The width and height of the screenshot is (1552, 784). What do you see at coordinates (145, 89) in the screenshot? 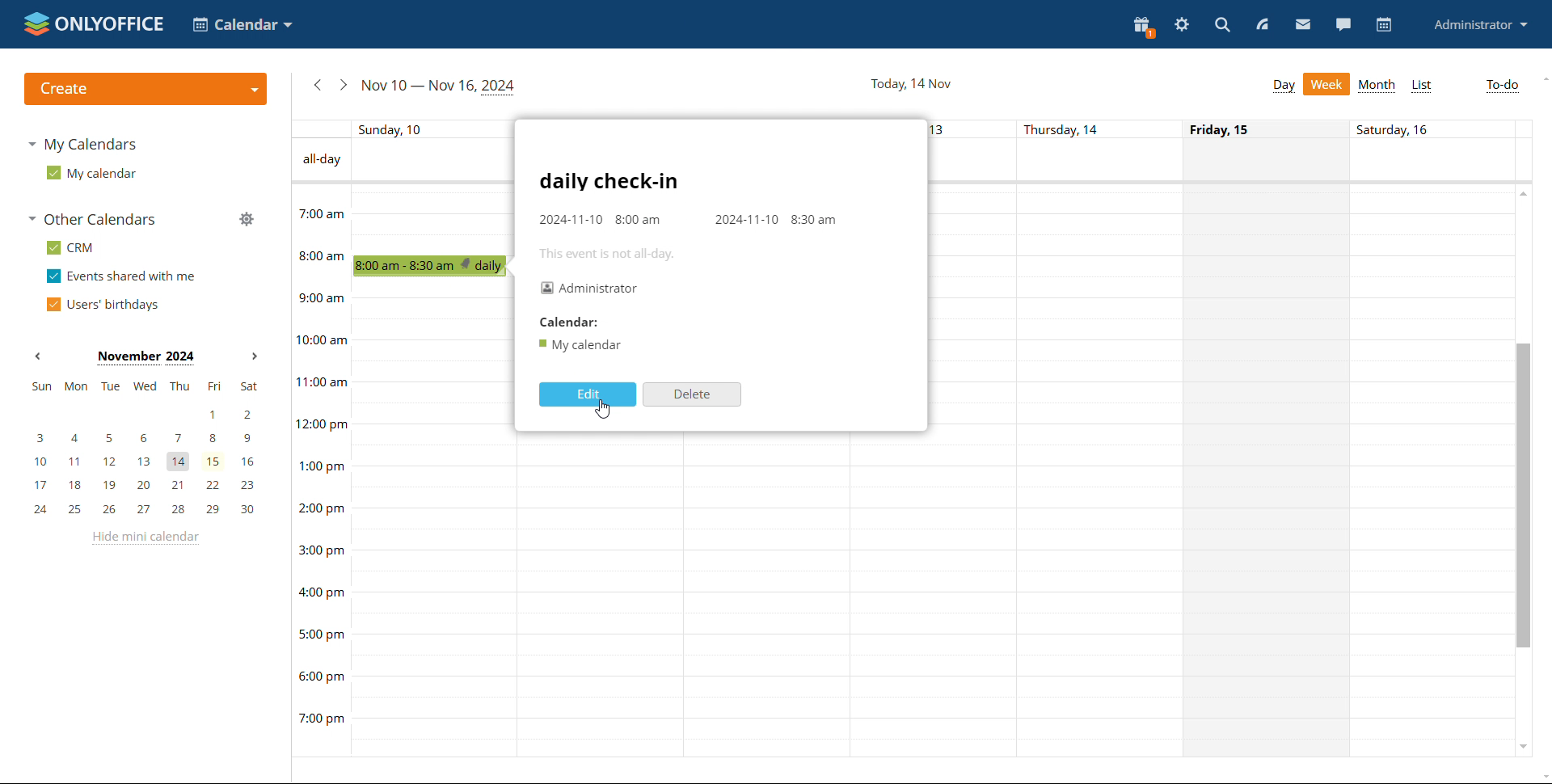
I see `create` at bounding box center [145, 89].